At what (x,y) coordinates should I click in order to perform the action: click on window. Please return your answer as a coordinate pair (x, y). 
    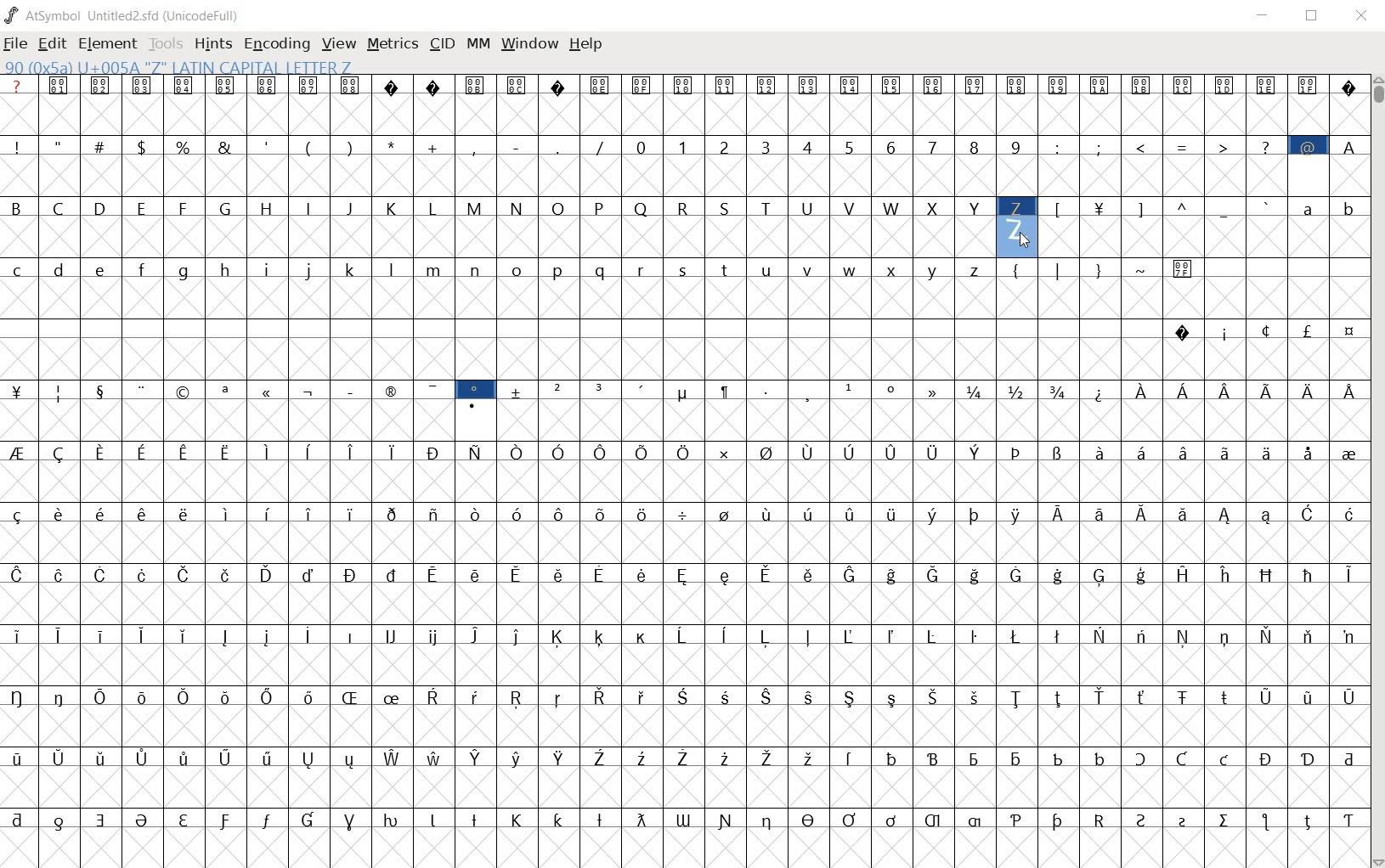
    Looking at the image, I should click on (529, 44).